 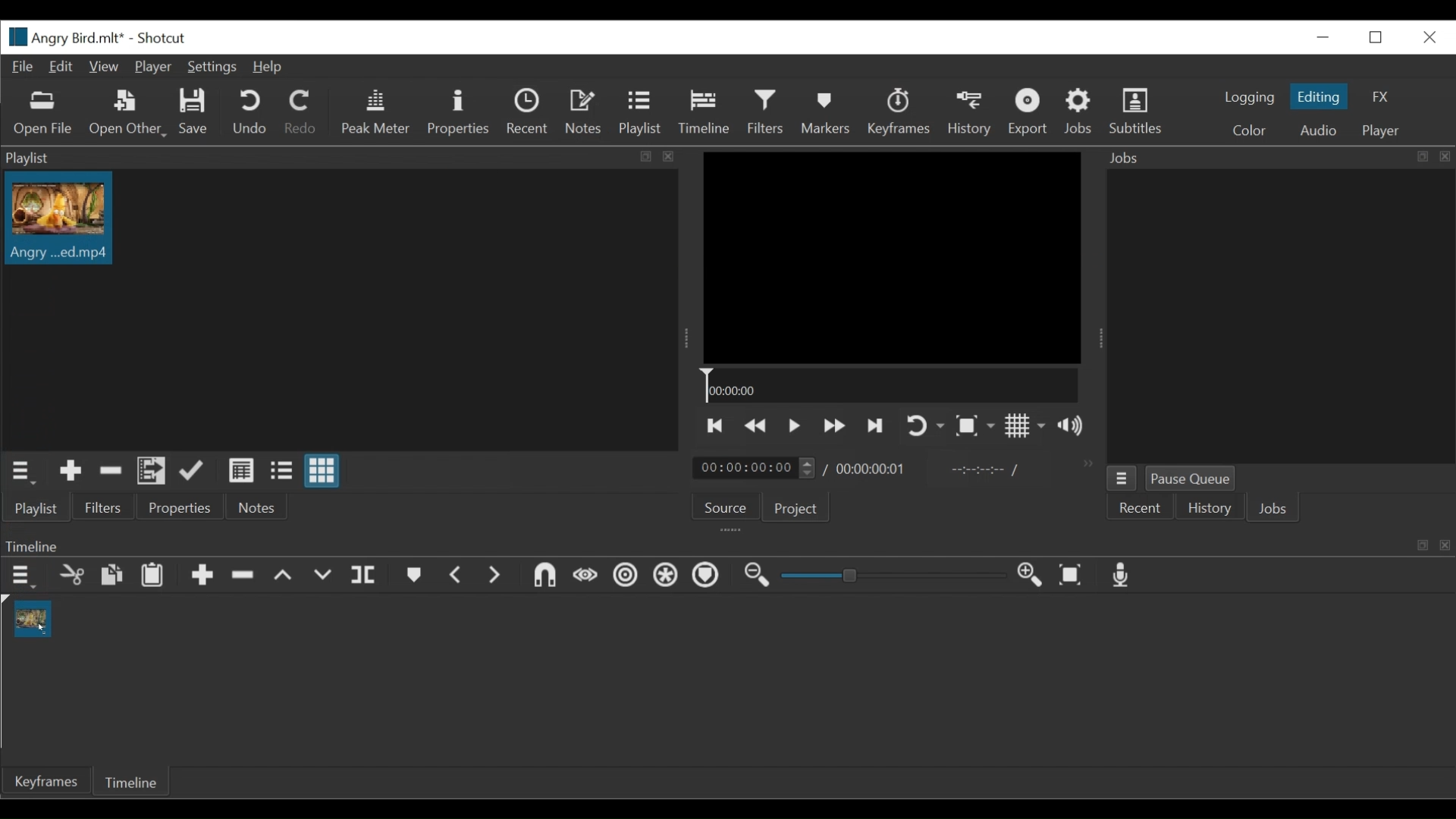 What do you see at coordinates (765, 111) in the screenshot?
I see `Filter` at bounding box center [765, 111].